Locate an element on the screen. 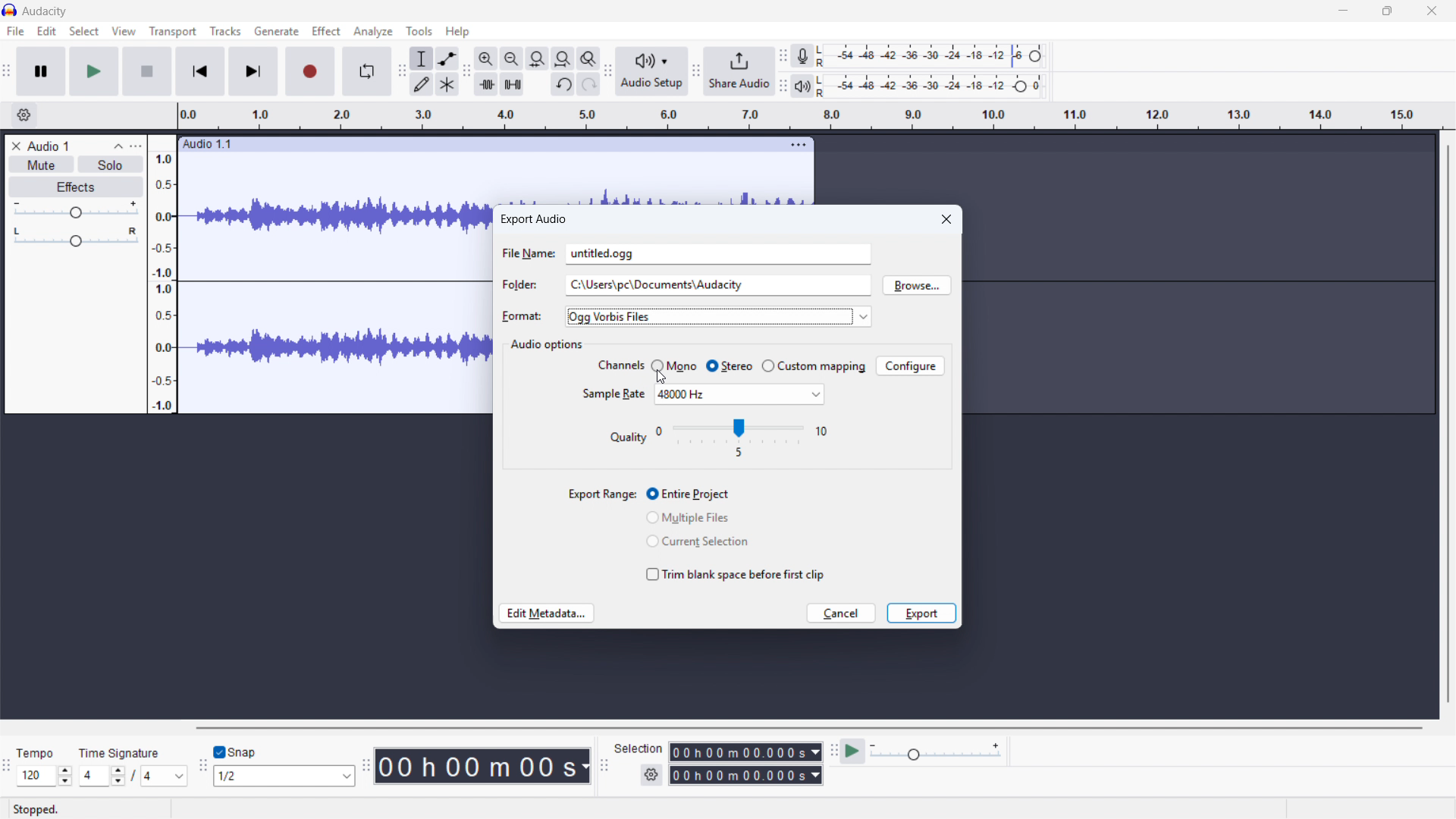 The width and height of the screenshot is (1456, 819). Vertical scroll bar  is located at coordinates (1448, 424).